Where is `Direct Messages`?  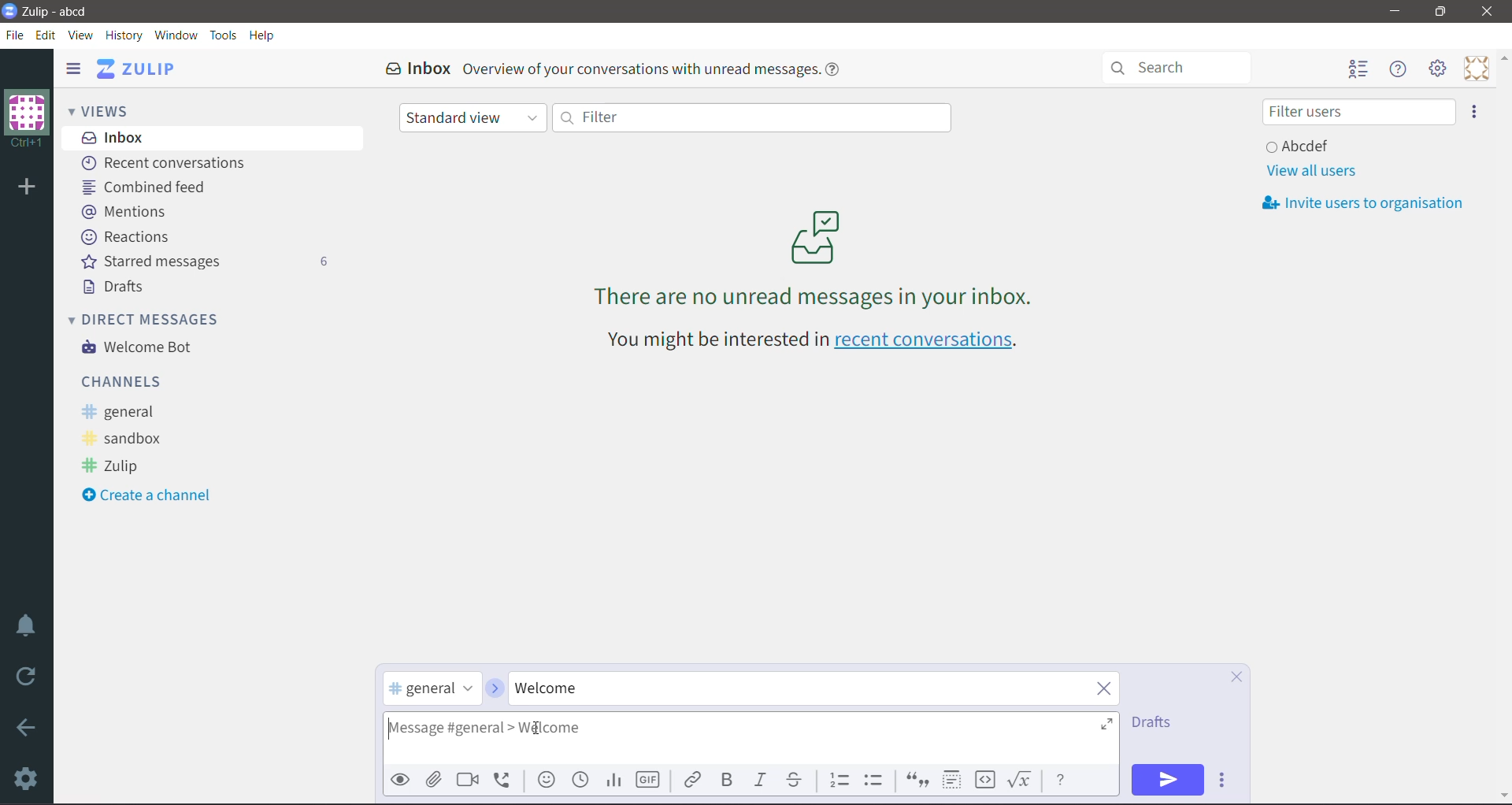 Direct Messages is located at coordinates (154, 318).